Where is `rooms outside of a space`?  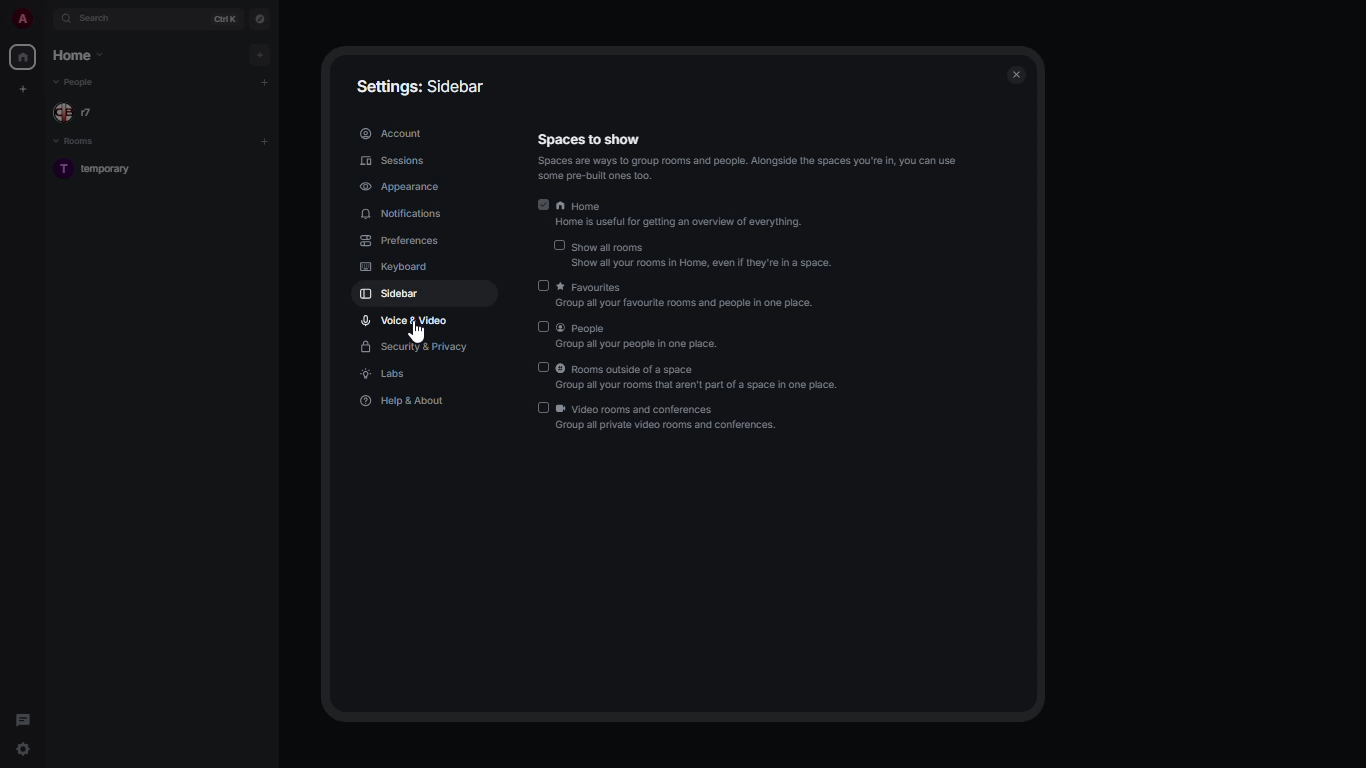
rooms outside of a space is located at coordinates (696, 378).